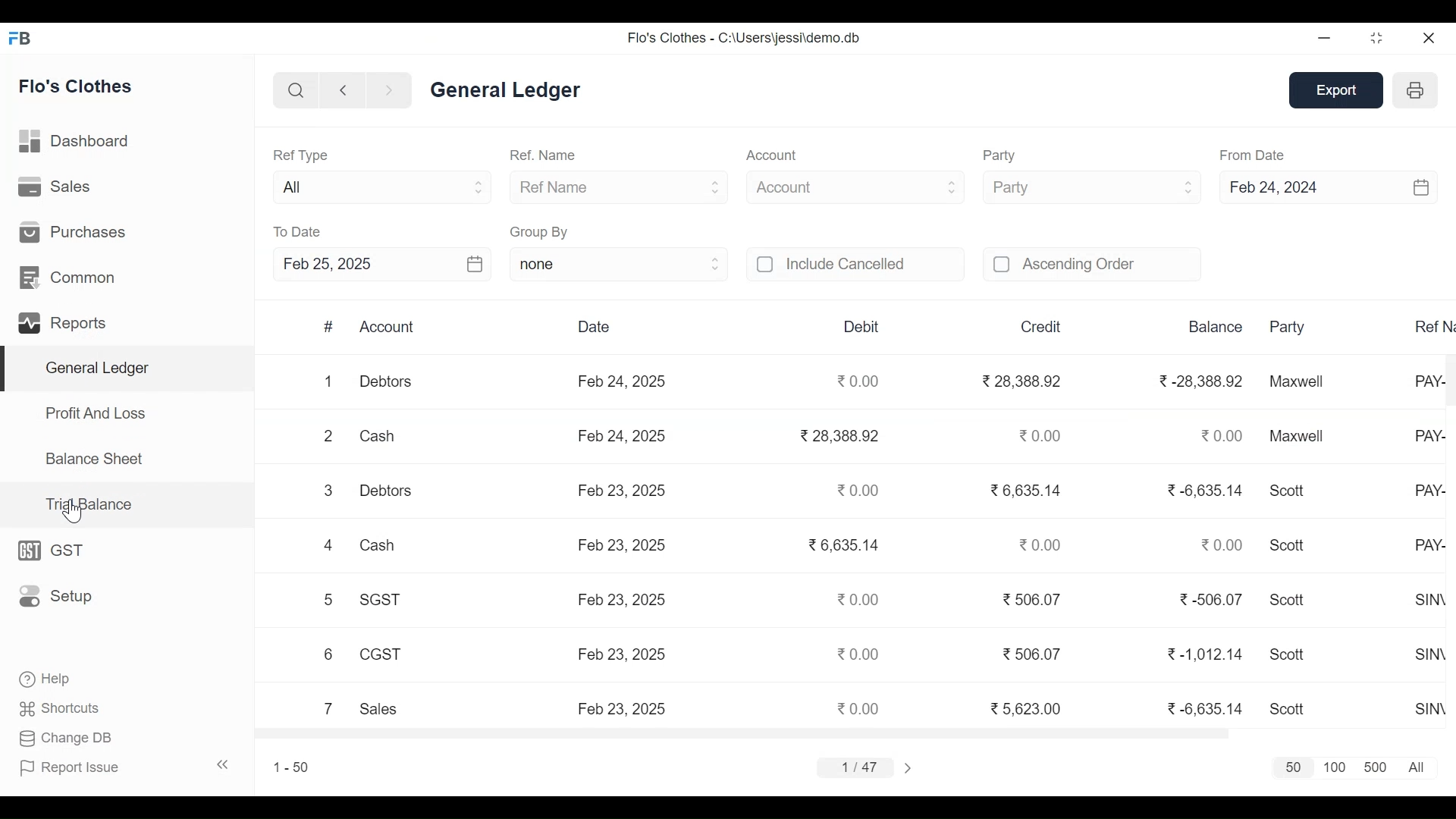 The width and height of the screenshot is (1456, 819). I want to click on none, so click(617, 266).